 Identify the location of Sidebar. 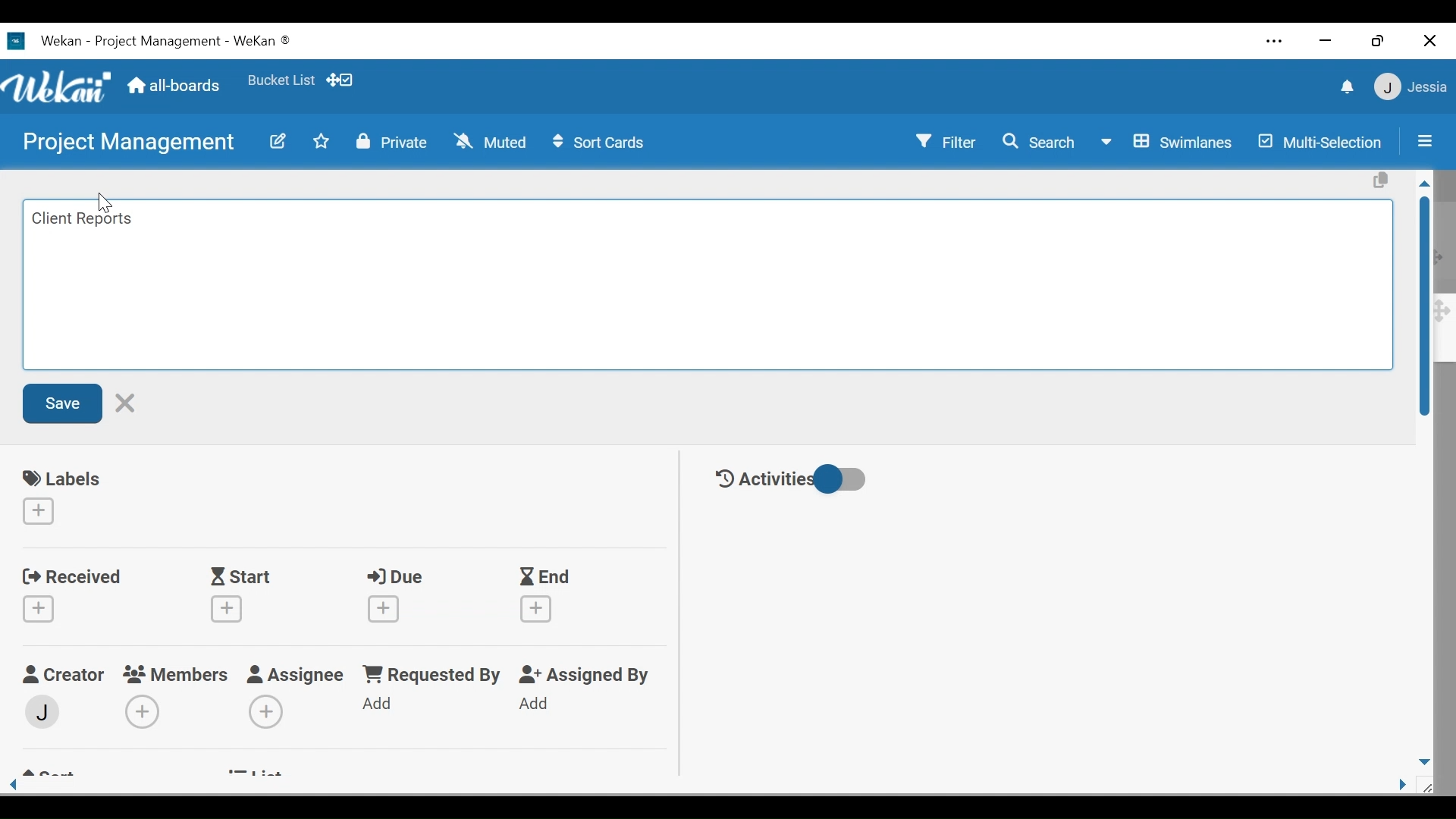
(1426, 140).